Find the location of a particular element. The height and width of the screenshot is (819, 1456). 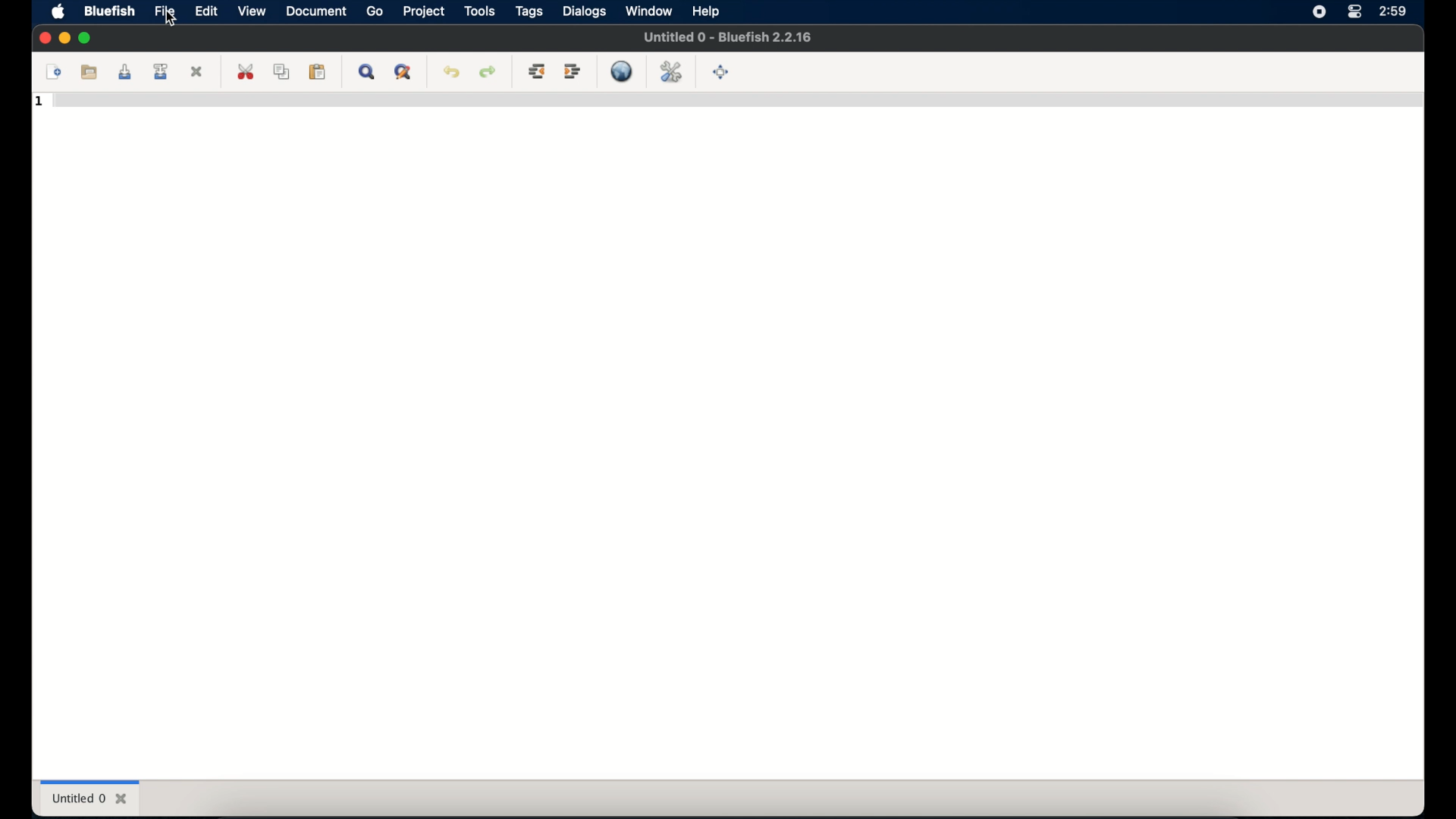

file is located at coordinates (165, 11).